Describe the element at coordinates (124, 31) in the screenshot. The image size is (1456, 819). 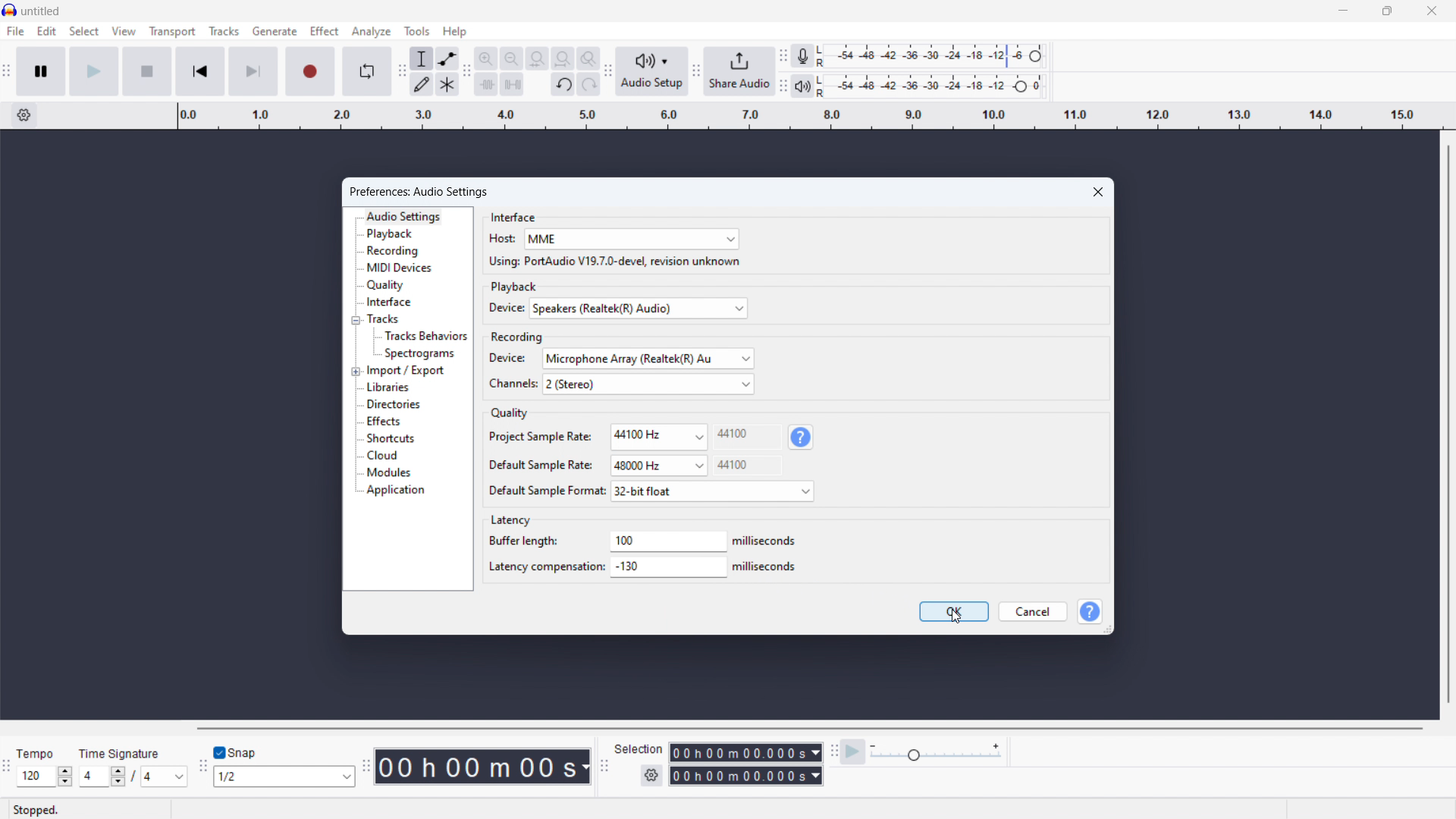
I see `view` at that location.